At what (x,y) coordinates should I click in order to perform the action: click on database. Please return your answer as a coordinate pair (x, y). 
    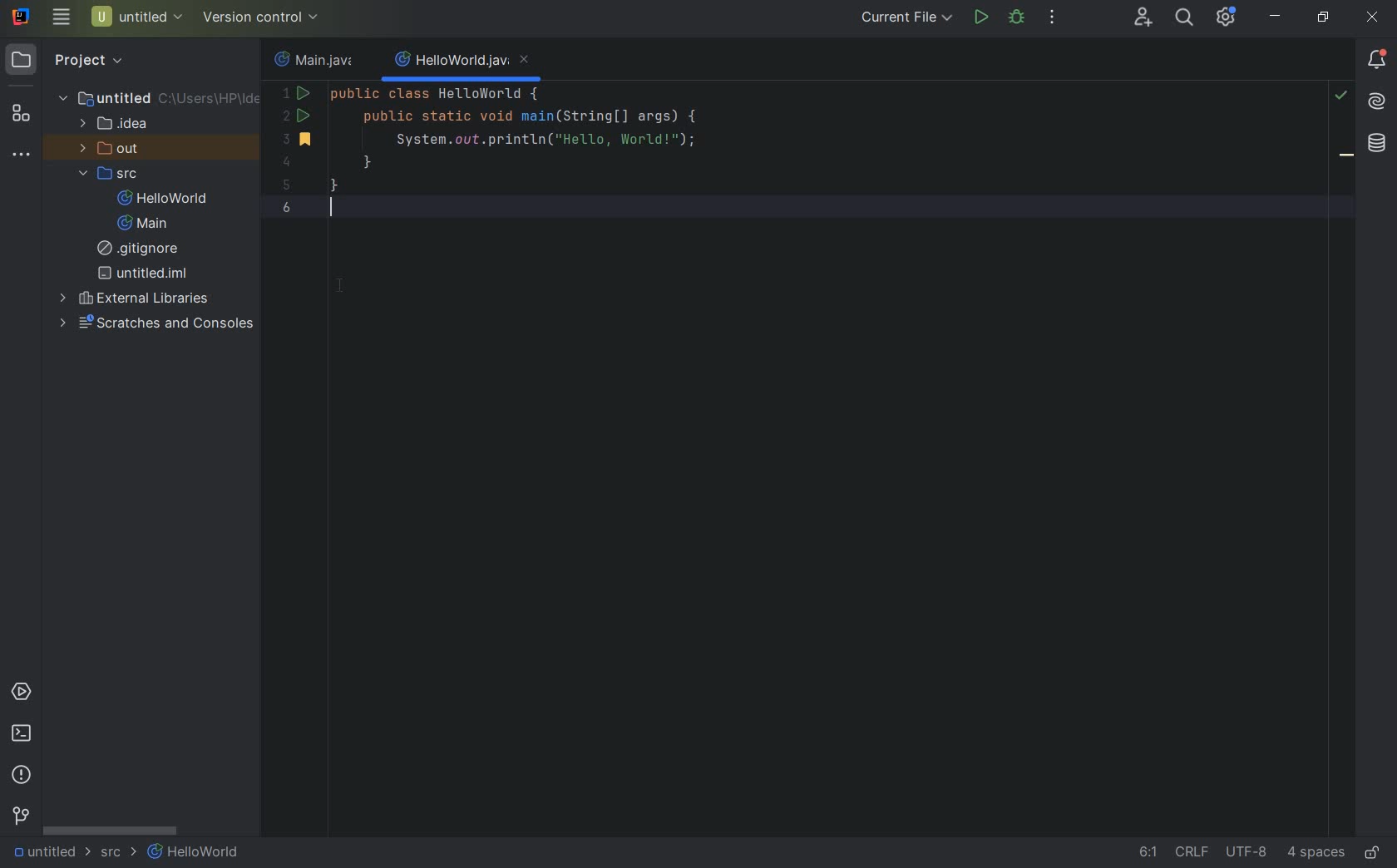
    Looking at the image, I should click on (1376, 143).